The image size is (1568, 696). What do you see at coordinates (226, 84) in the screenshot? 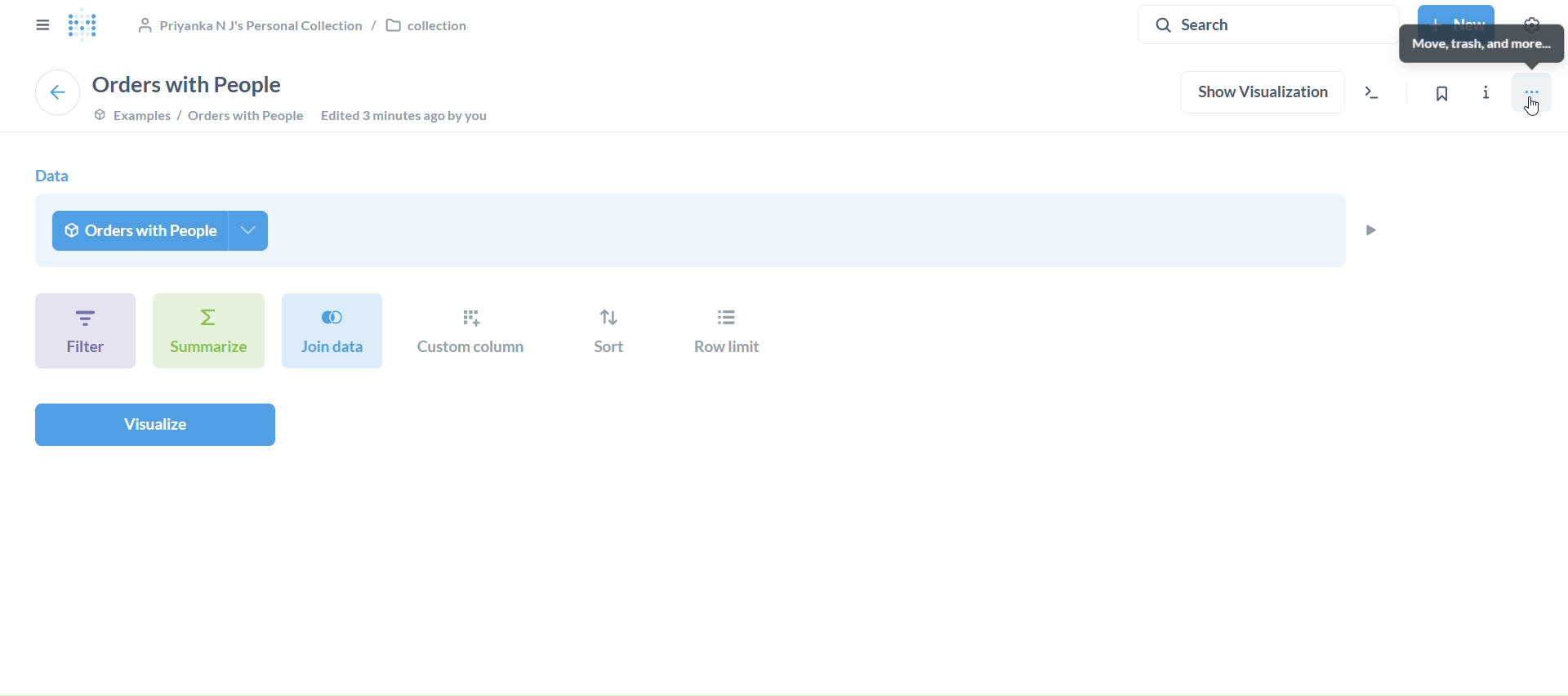
I see `orders with people` at bounding box center [226, 84].